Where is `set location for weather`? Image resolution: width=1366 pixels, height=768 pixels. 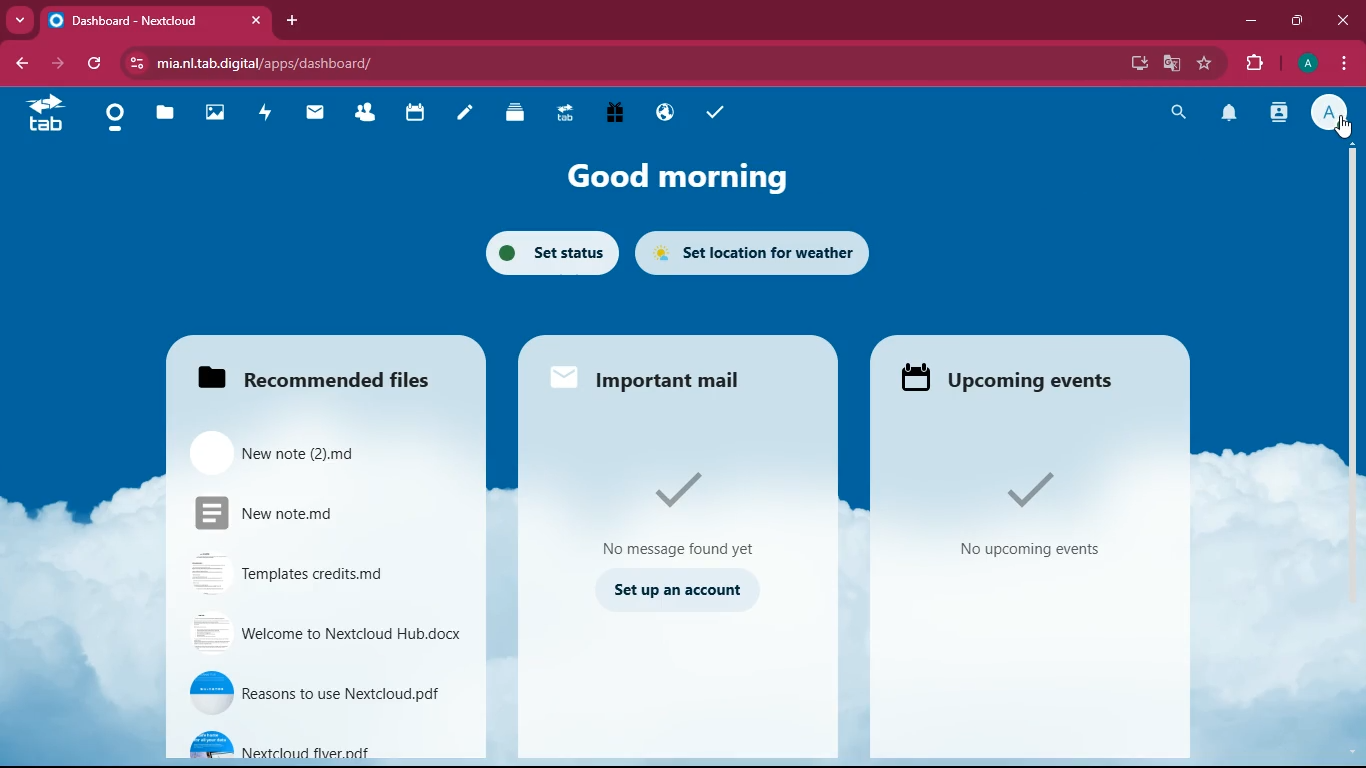
set location for weather is located at coordinates (752, 252).